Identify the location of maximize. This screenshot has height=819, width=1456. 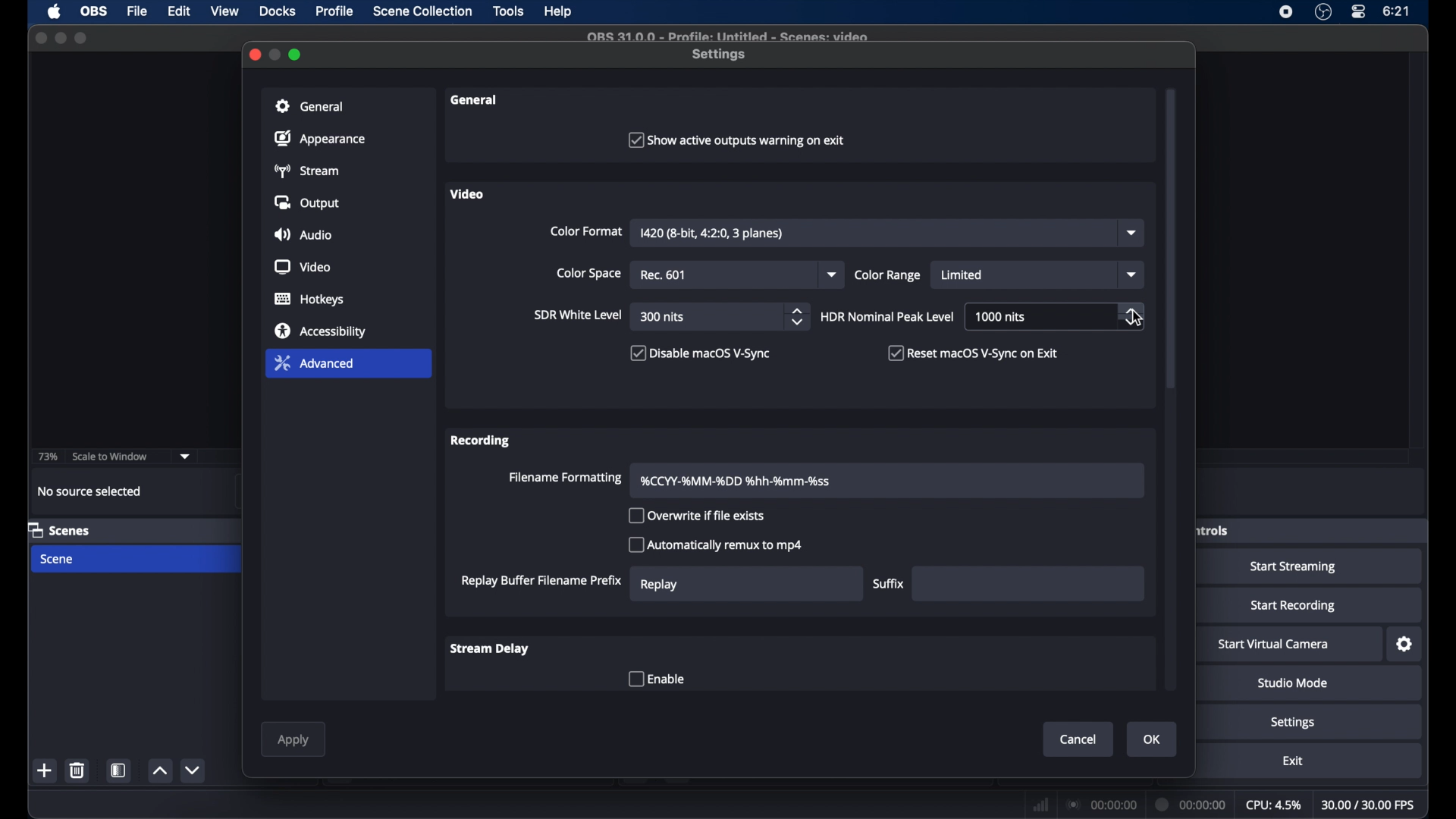
(296, 55).